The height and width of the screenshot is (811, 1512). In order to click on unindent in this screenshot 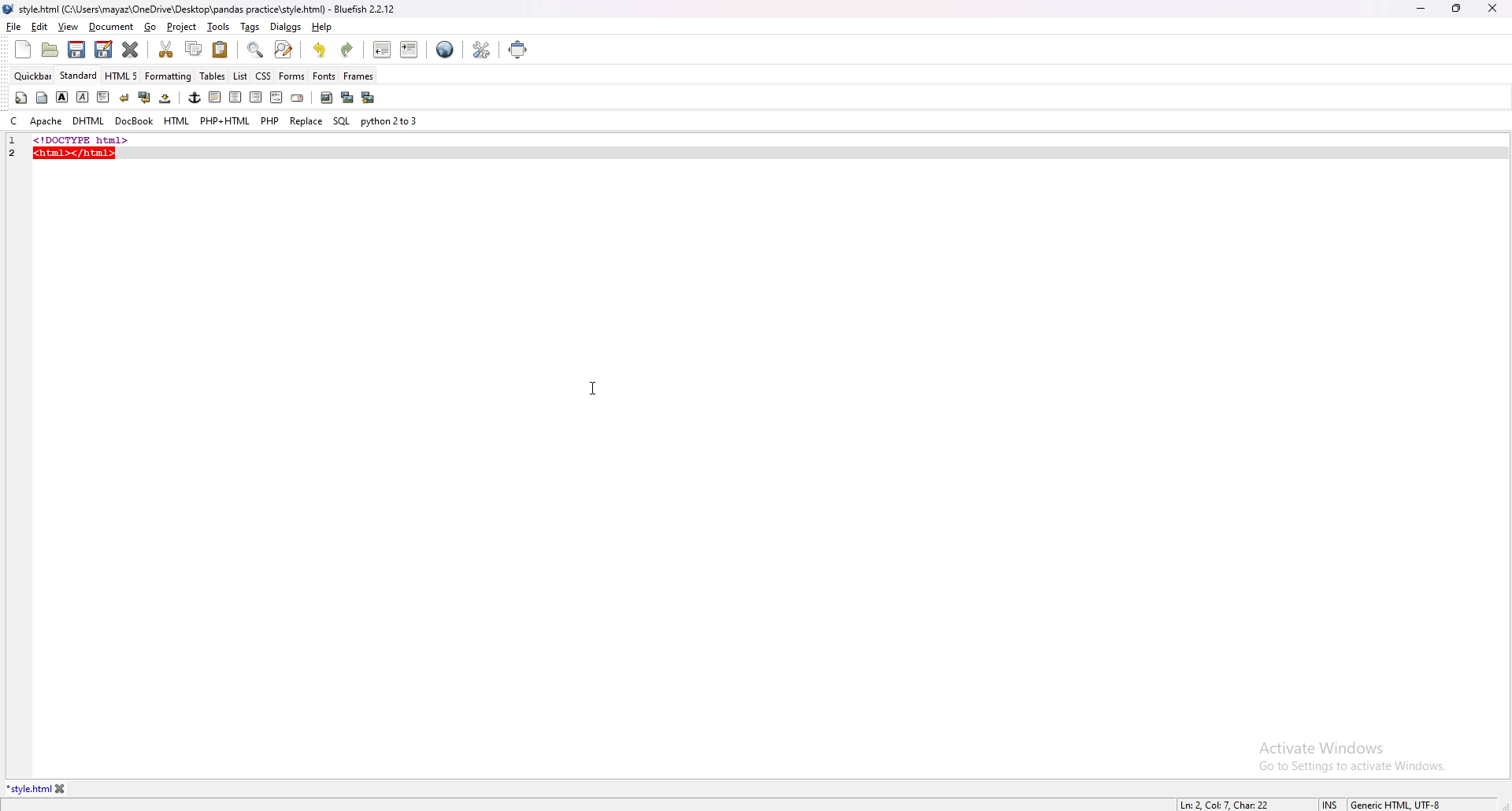, I will do `click(383, 50)`.